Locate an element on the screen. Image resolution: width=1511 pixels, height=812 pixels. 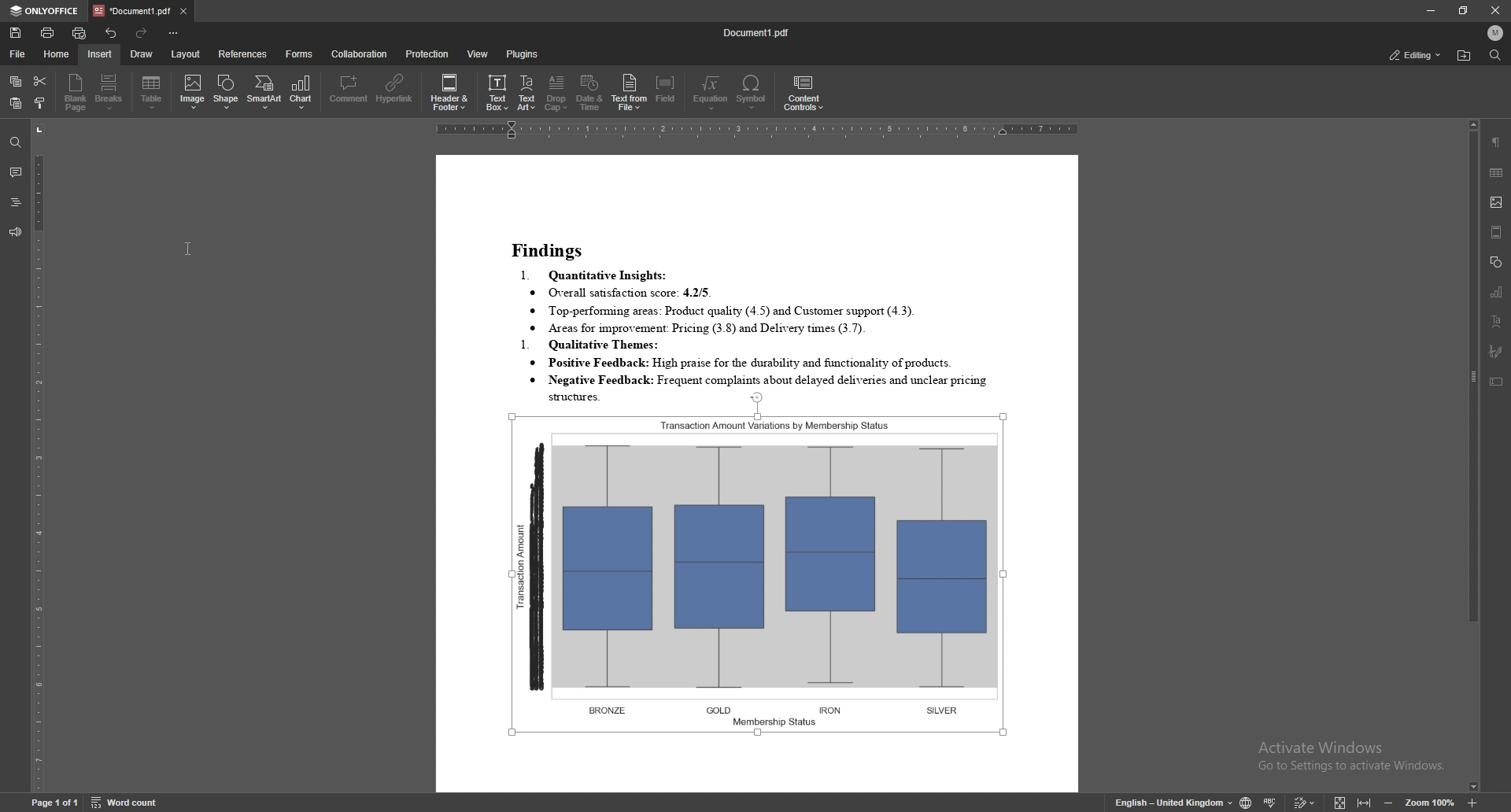
equation is located at coordinates (711, 93).